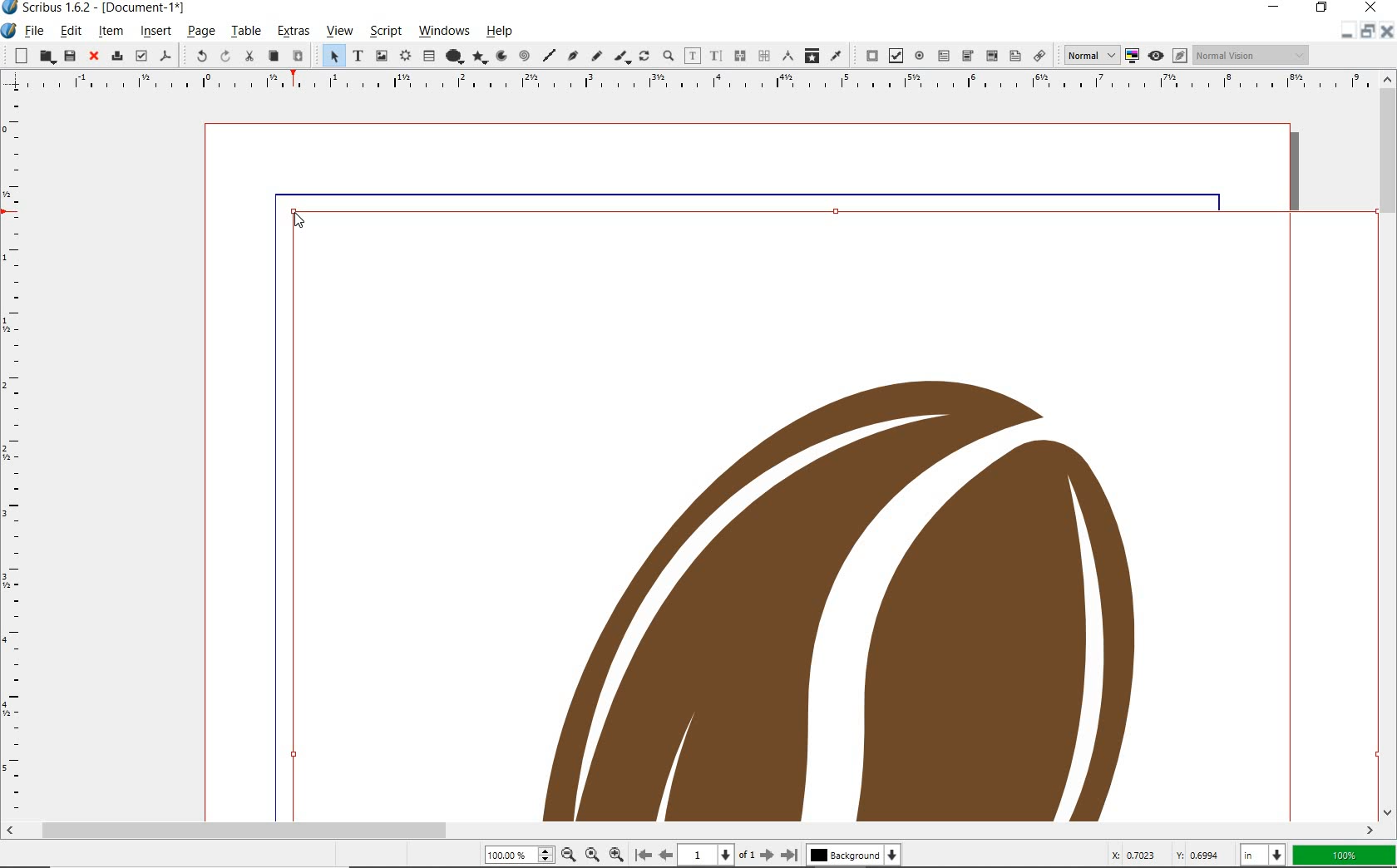 The width and height of the screenshot is (1397, 868). I want to click on Close, so click(1389, 31).